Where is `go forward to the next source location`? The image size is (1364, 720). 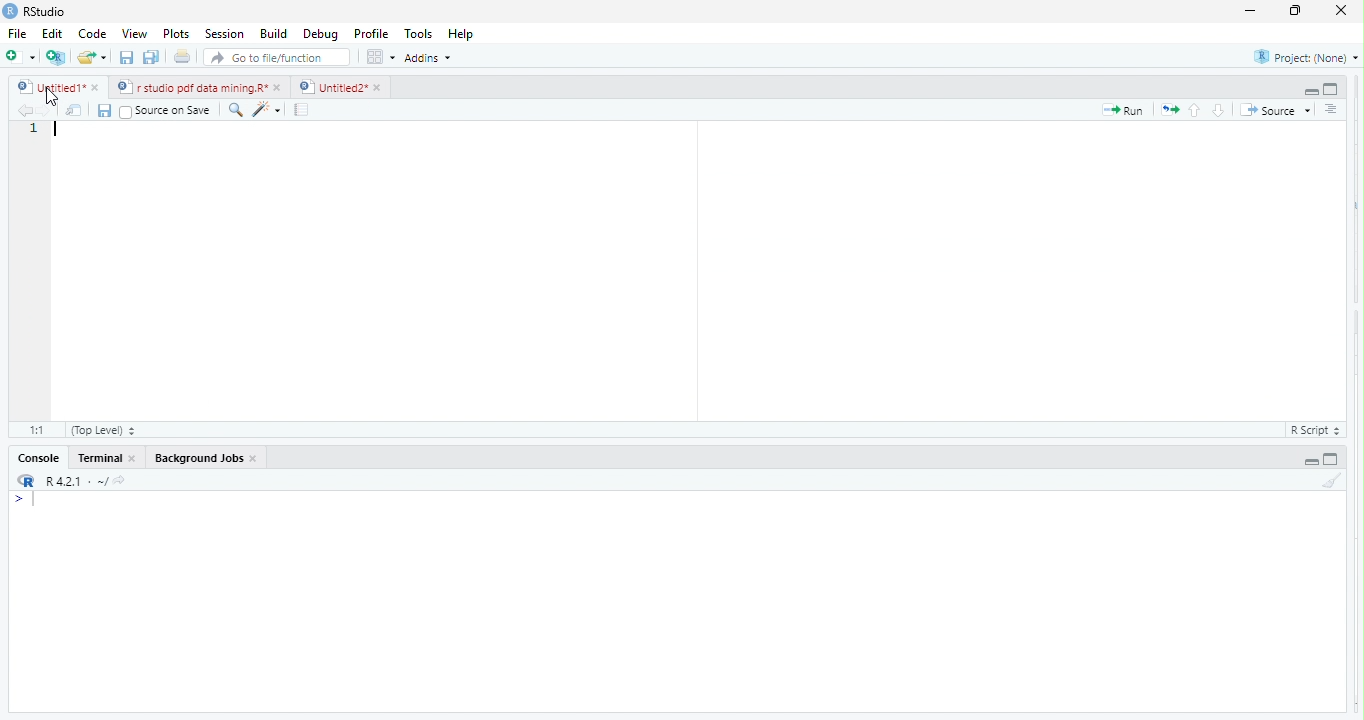 go forward to the next source location is located at coordinates (48, 112).